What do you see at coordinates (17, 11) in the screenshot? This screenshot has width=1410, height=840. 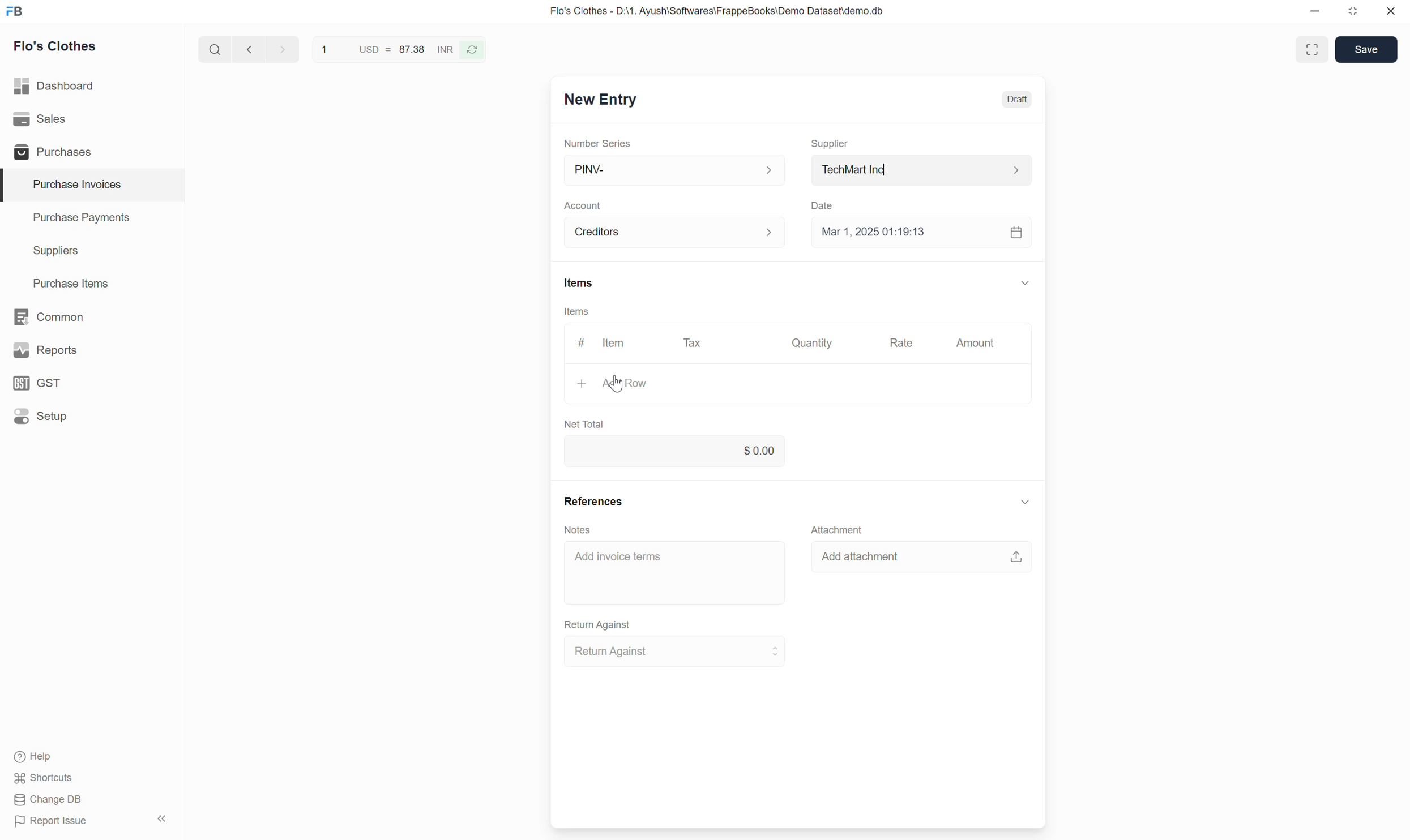 I see `frappe books logo` at bounding box center [17, 11].